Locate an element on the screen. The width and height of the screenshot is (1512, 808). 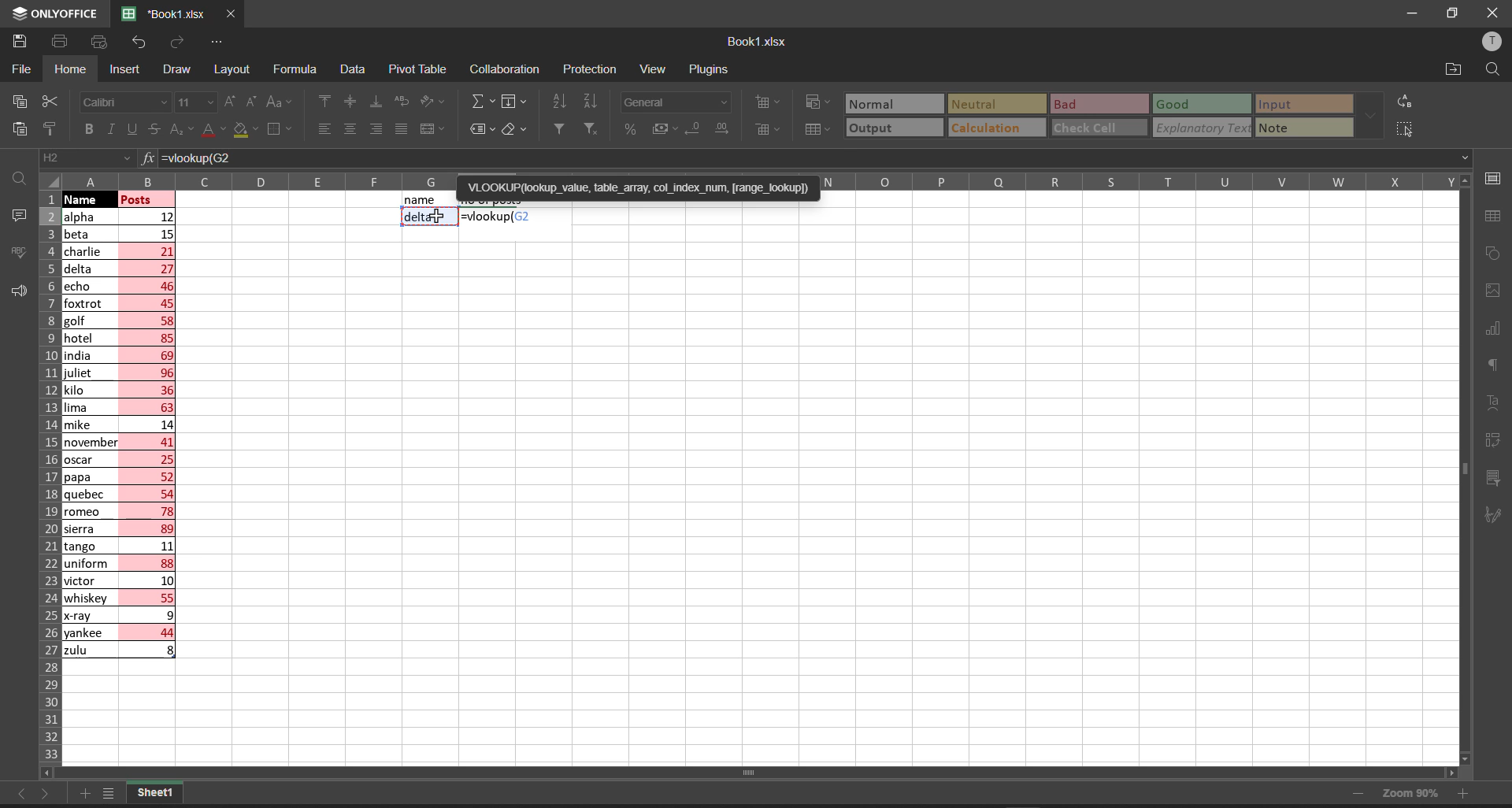
row names is located at coordinates (46, 480).